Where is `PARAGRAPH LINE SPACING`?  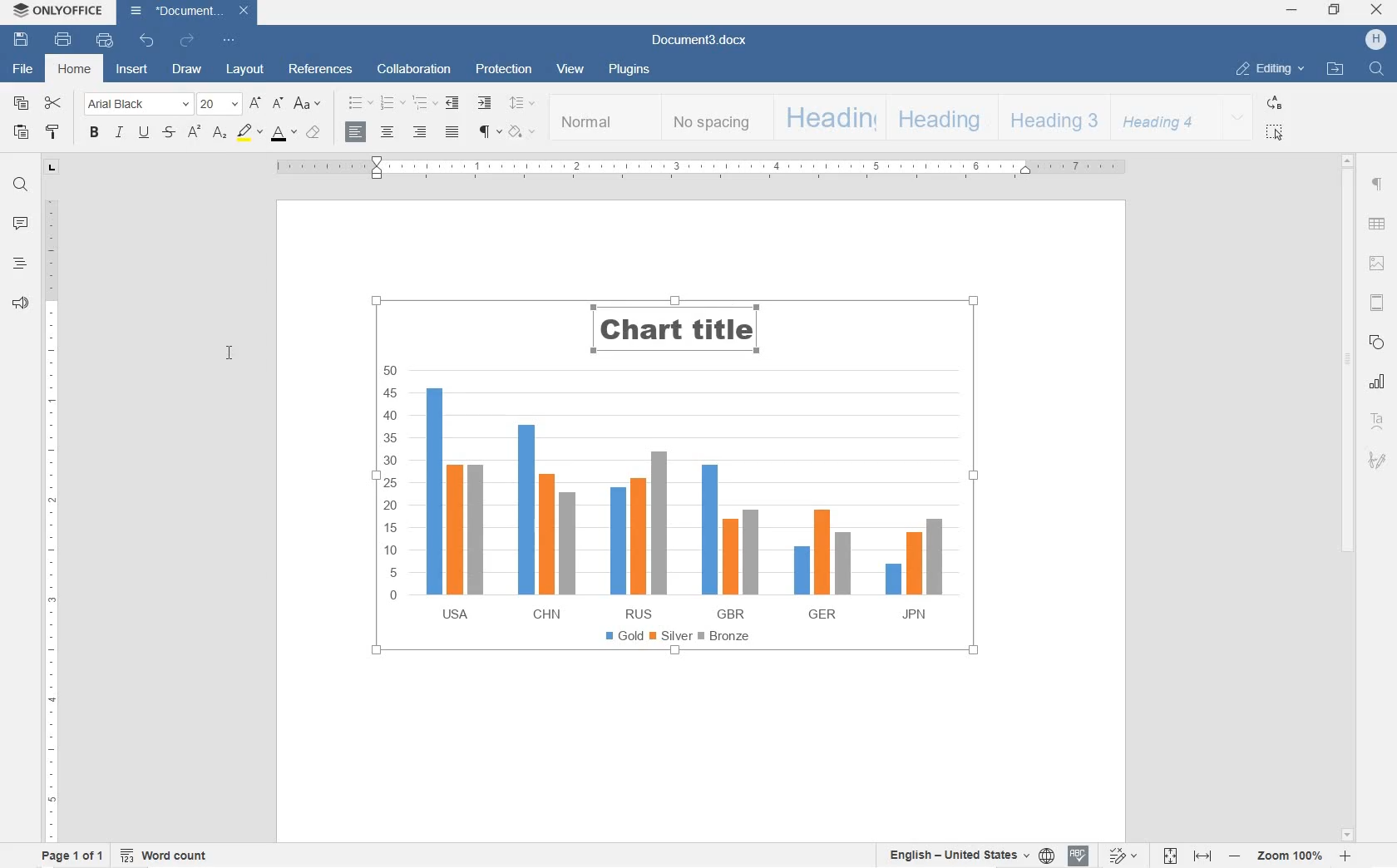 PARAGRAPH LINE SPACING is located at coordinates (521, 104).